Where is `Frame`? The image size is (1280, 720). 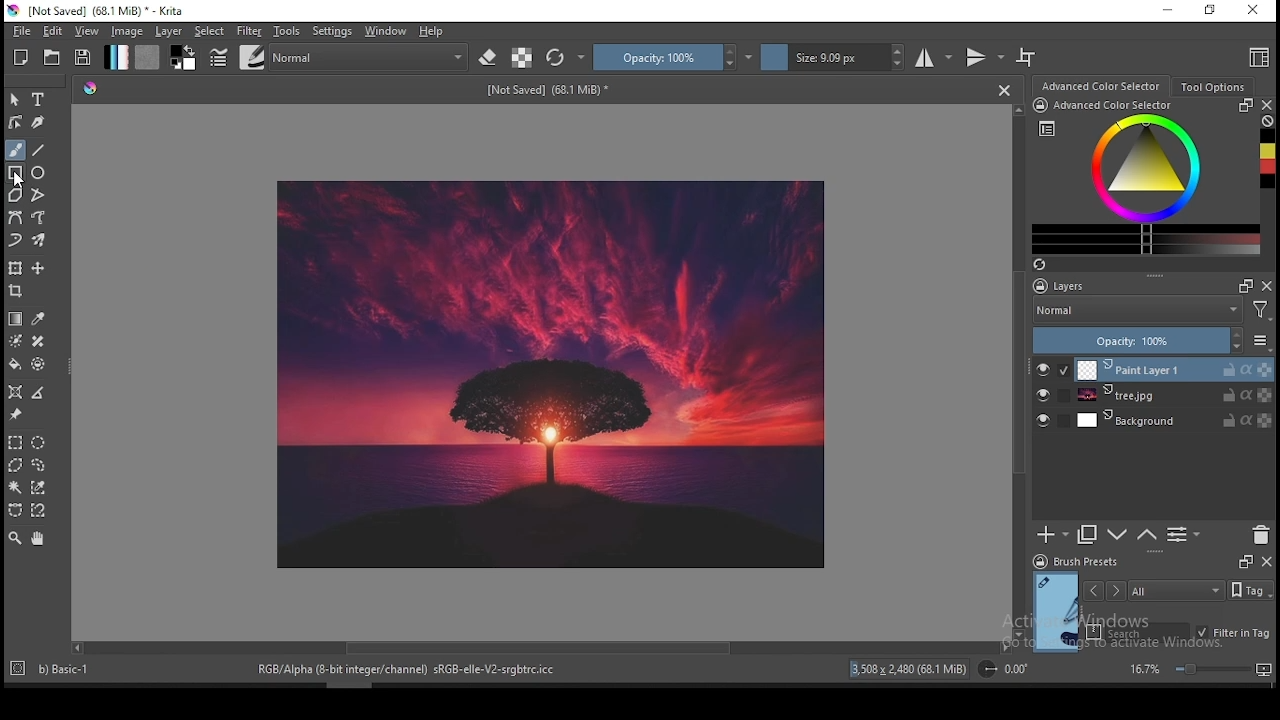 Frame is located at coordinates (1243, 562).